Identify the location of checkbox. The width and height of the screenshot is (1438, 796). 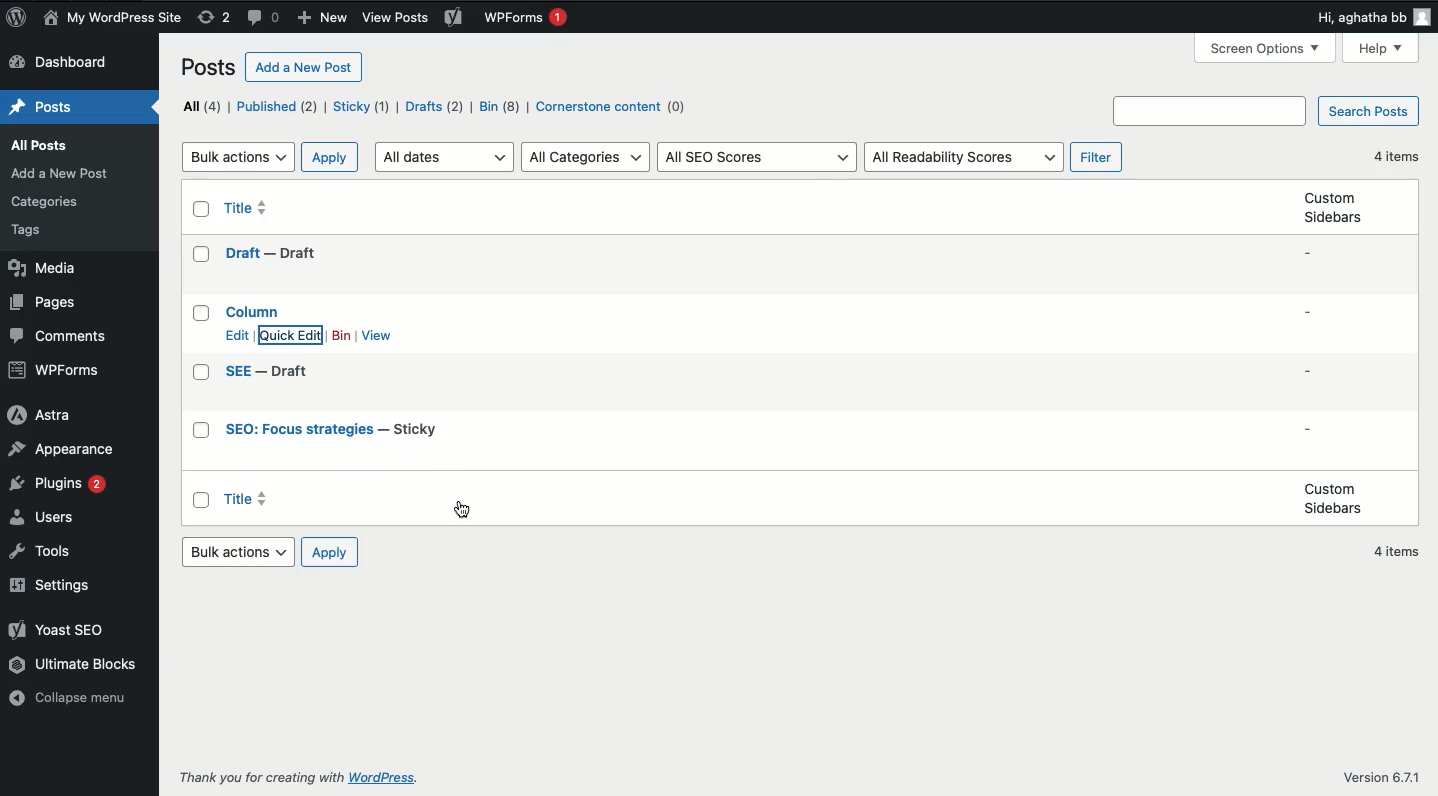
(201, 209).